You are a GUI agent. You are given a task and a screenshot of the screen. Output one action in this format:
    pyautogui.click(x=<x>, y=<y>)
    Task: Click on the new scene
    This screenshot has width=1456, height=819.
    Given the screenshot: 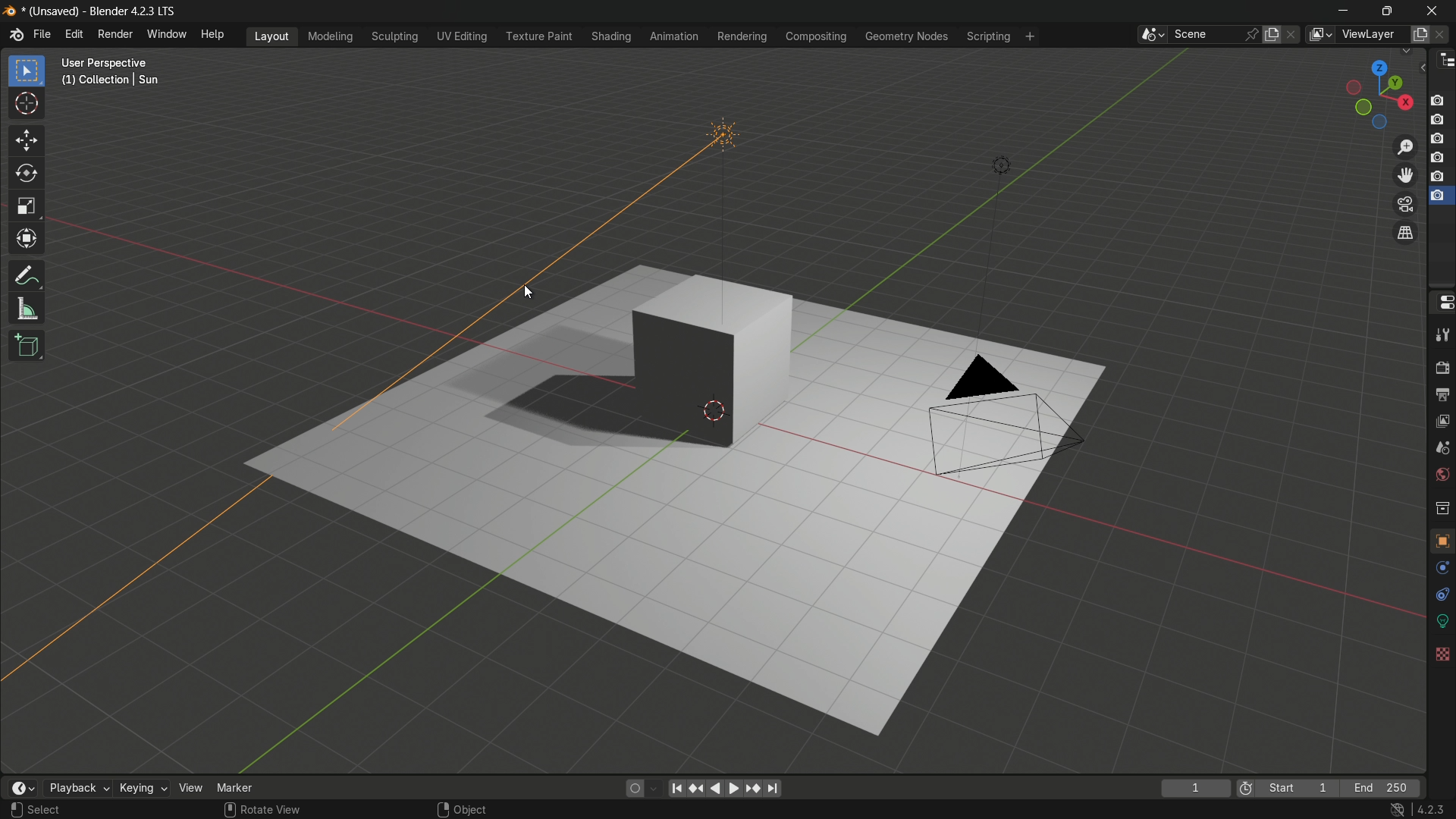 What is the action you would take?
    pyautogui.click(x=1272, y=33)
    